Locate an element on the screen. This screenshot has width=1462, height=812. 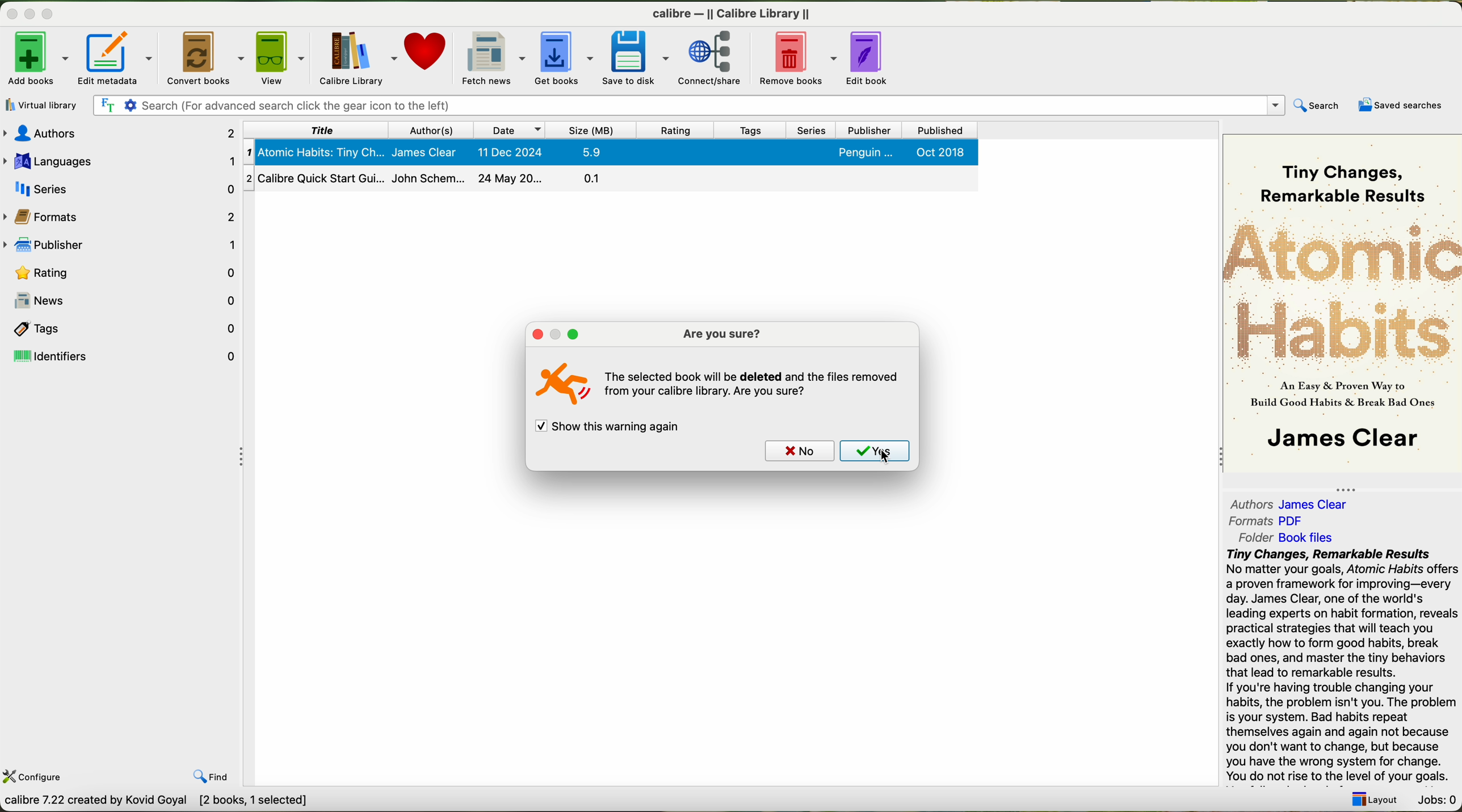
view is located at coordinates (279, 58).